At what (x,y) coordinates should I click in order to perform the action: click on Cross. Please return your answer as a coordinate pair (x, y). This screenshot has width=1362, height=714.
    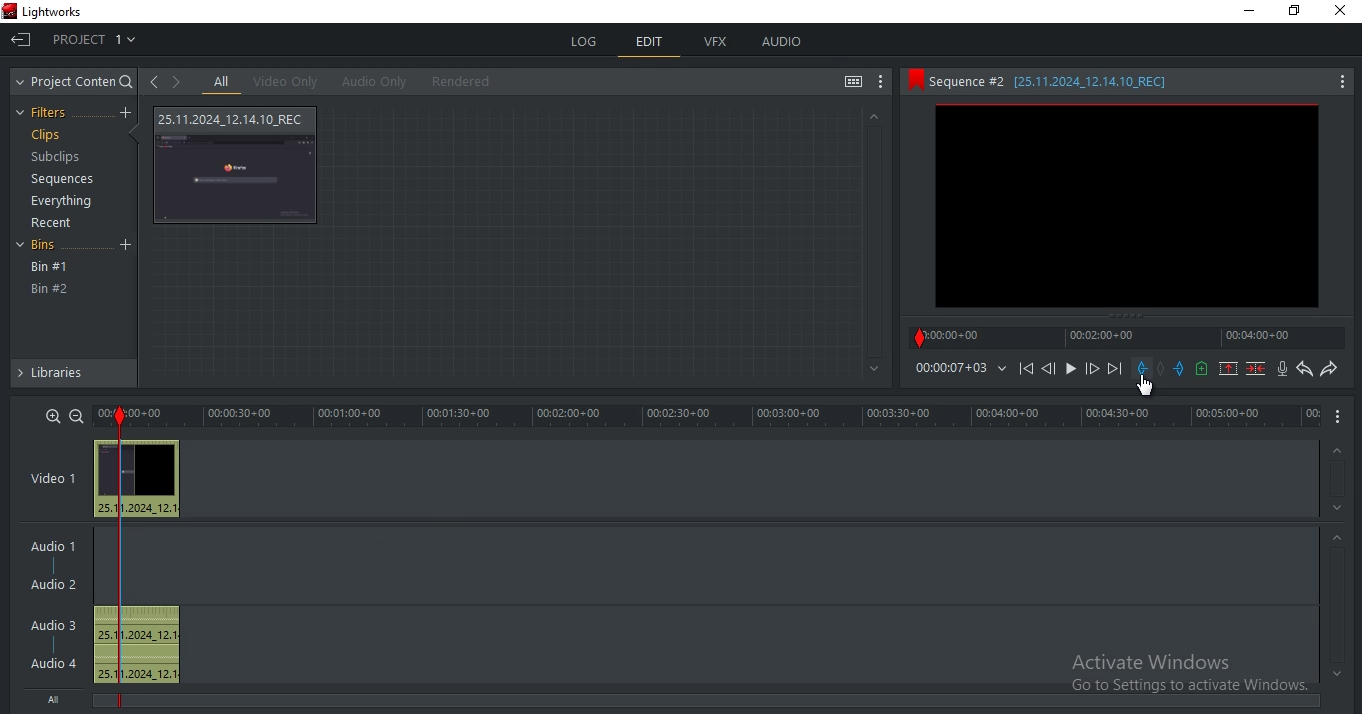
    Looking at the image, I should click on (1340, 13).